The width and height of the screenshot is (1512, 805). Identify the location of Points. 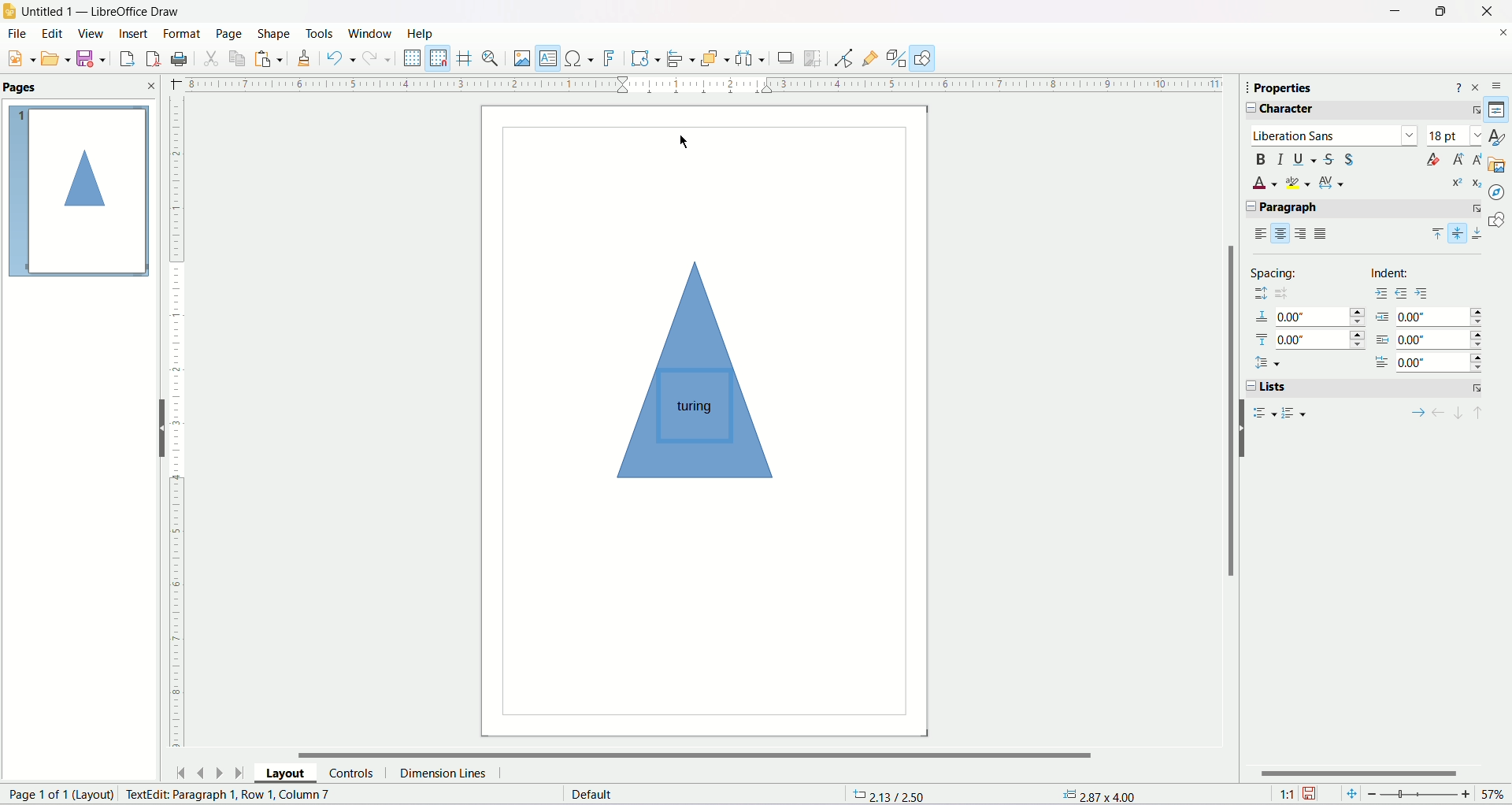
(843, 57).